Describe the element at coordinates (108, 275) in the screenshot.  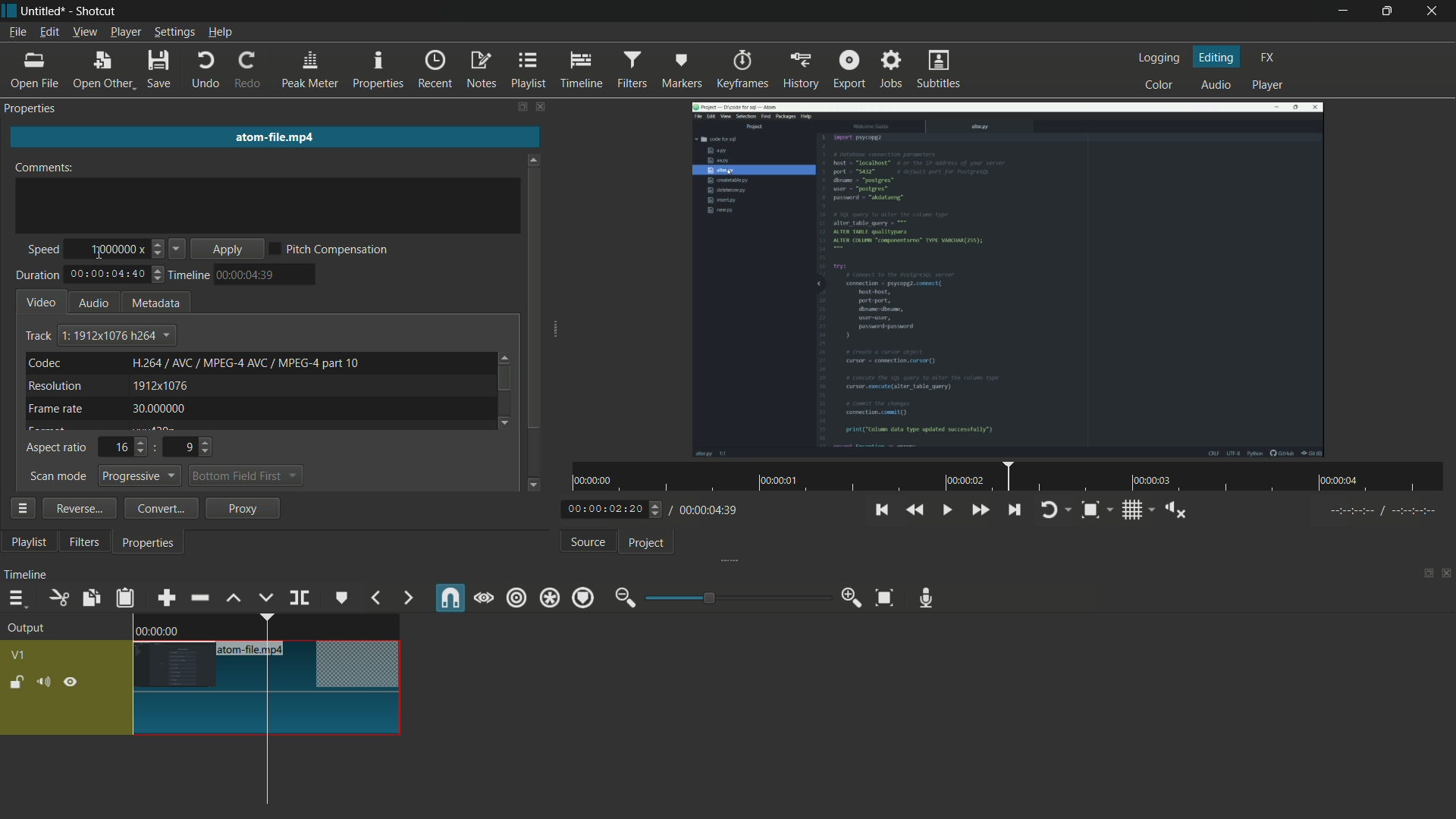
I see `total time` at that location.